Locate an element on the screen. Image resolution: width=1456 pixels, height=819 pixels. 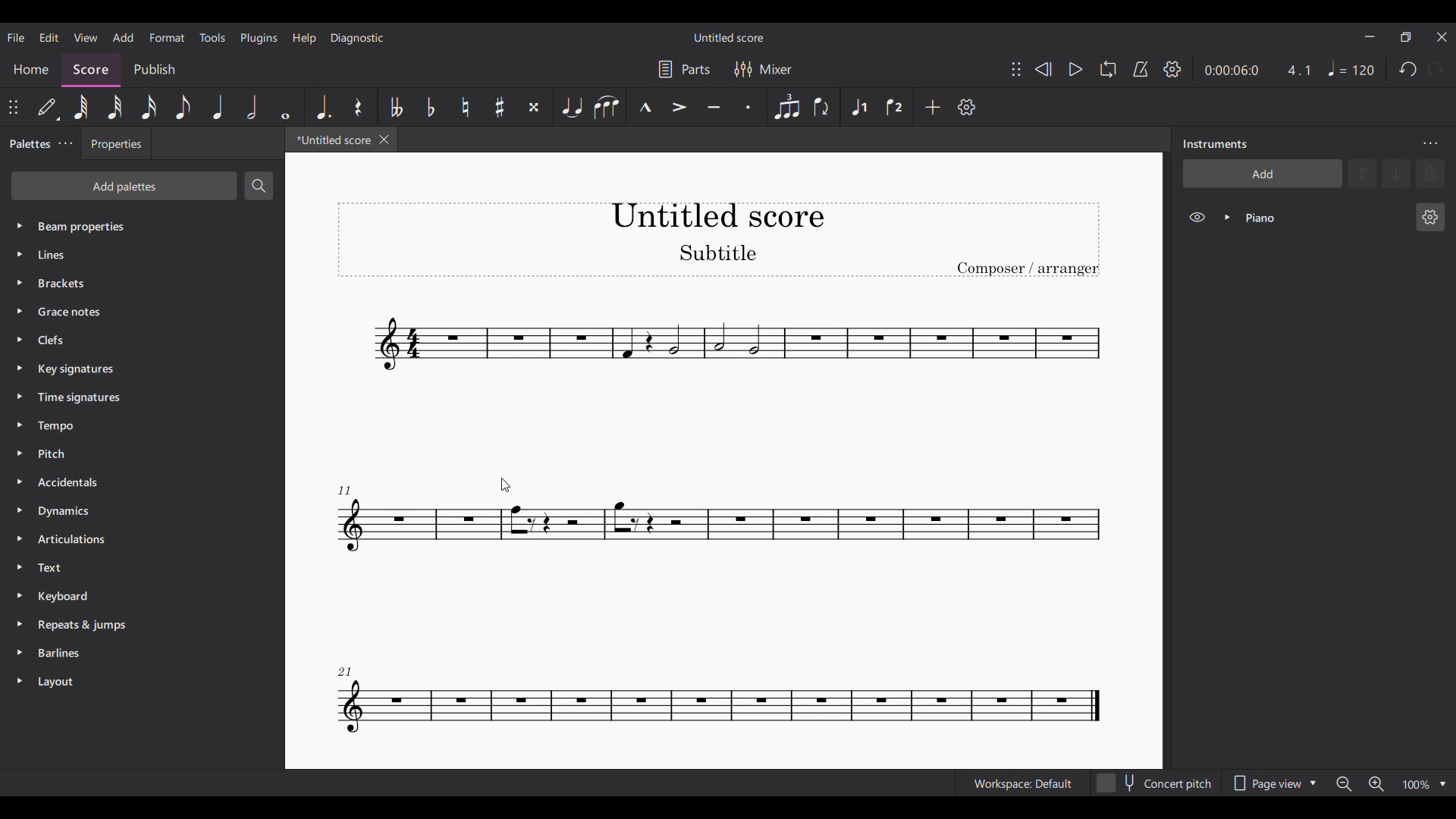
8th note is located at coordinates (183, 107).